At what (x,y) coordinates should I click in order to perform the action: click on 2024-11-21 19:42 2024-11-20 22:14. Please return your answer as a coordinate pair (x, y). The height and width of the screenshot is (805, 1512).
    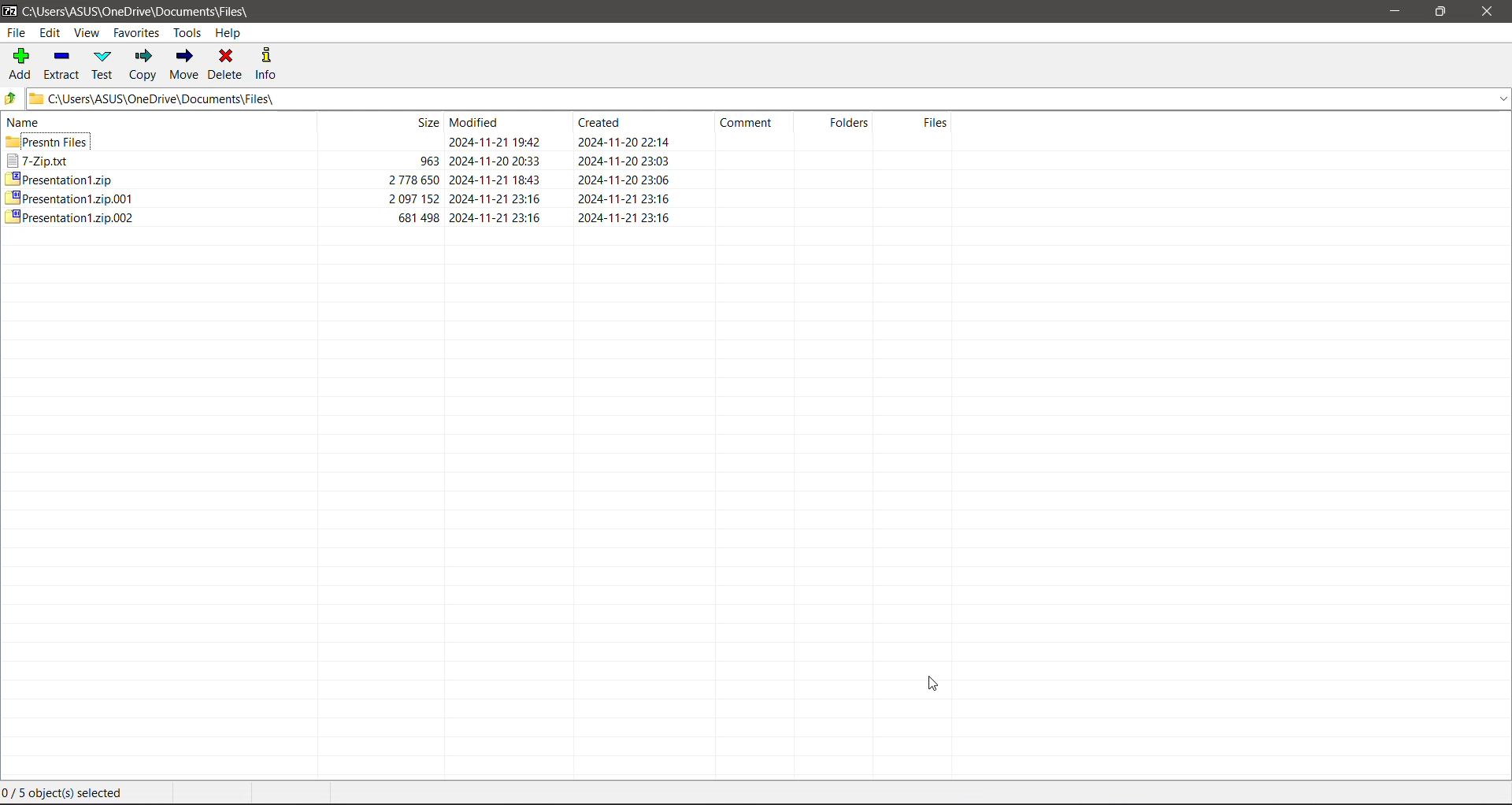
    Looking at the image, I should click on (546, 143).